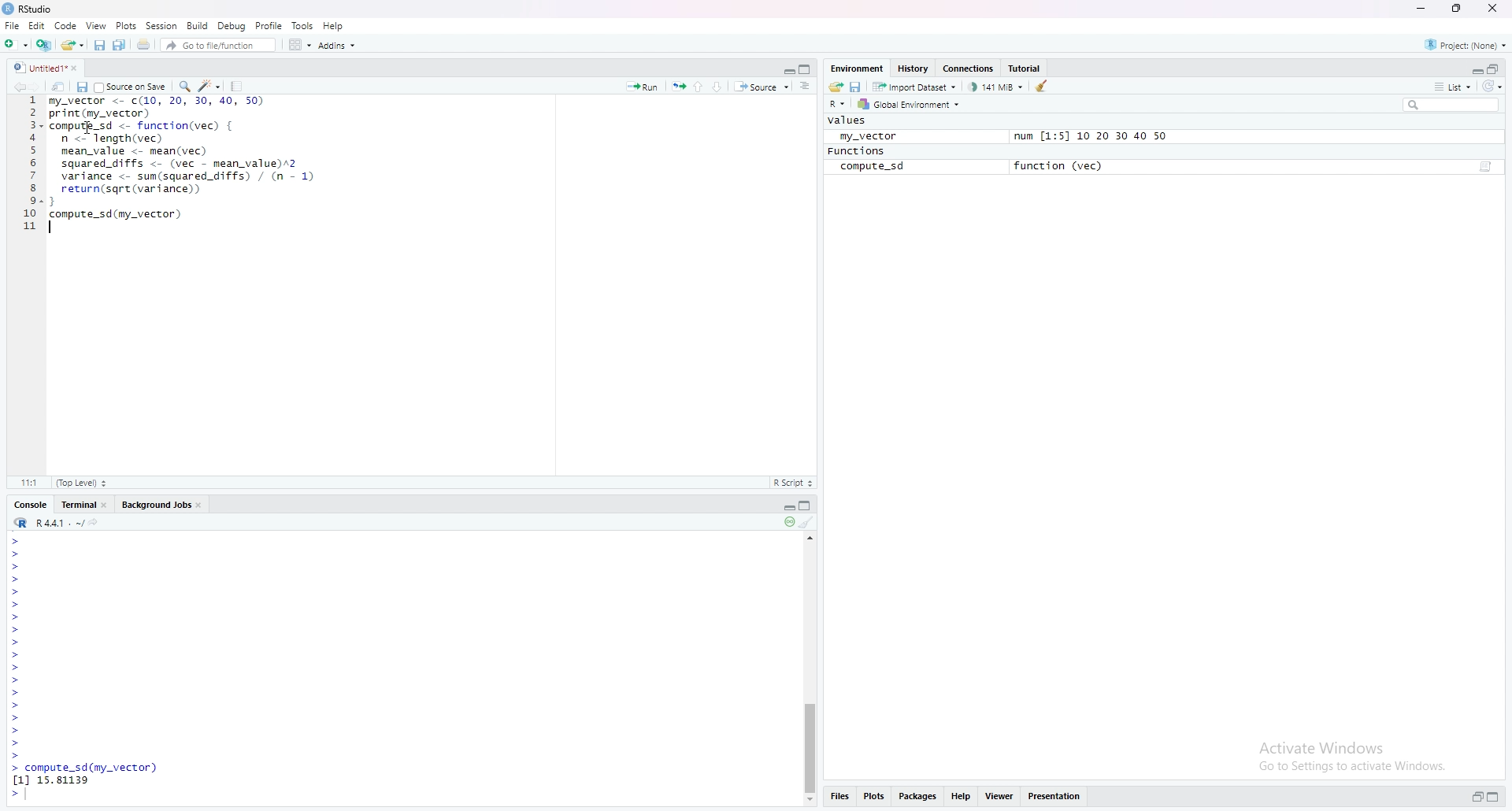 This screenshot has height=811, width=1512. What do you see at coordinates (43, 43) in the screenshot?
I see `Create a project` at bounding box center [43, 43].